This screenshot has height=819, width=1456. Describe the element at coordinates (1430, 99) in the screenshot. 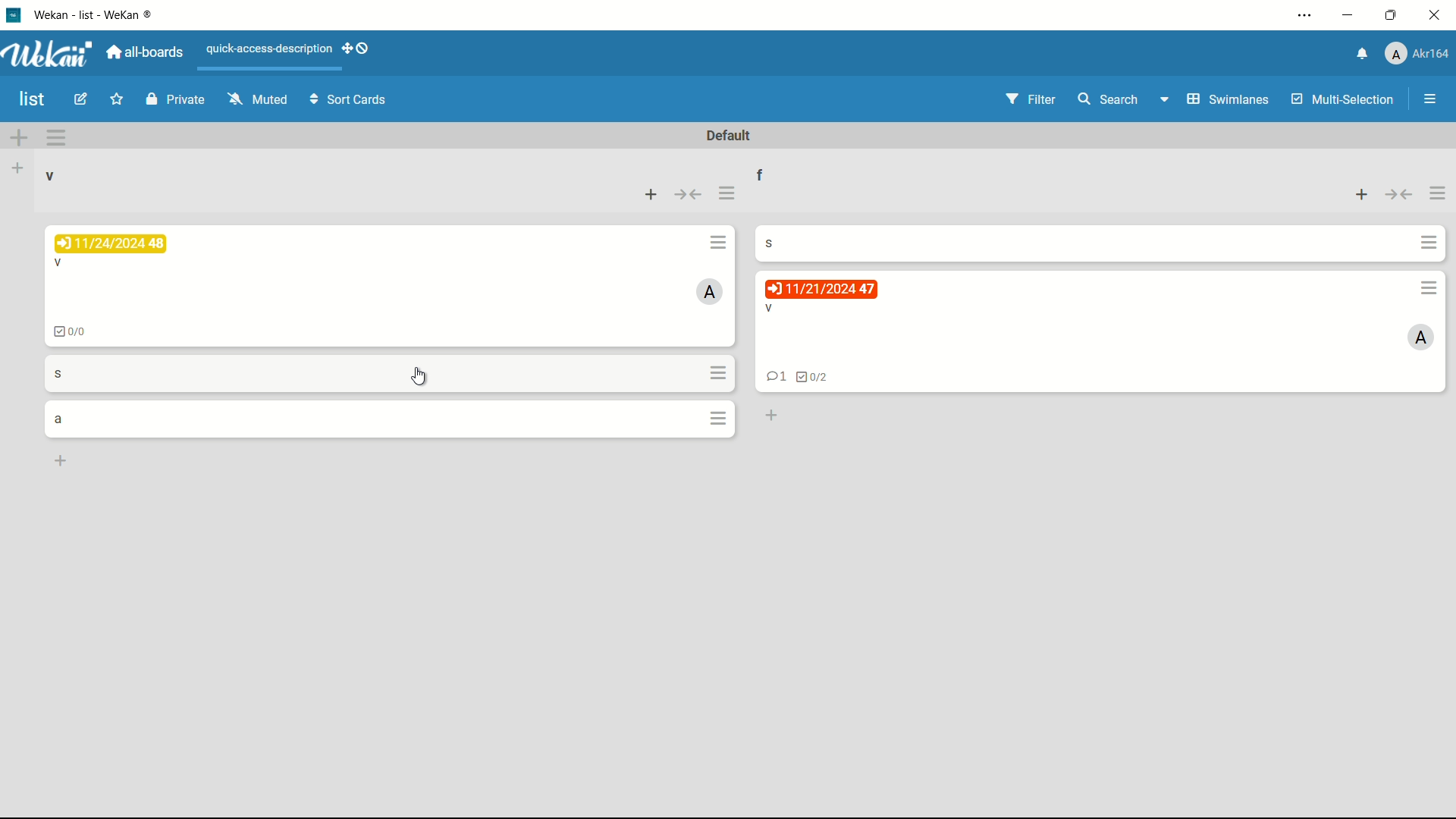

I see `open/close sidebar` at that location.